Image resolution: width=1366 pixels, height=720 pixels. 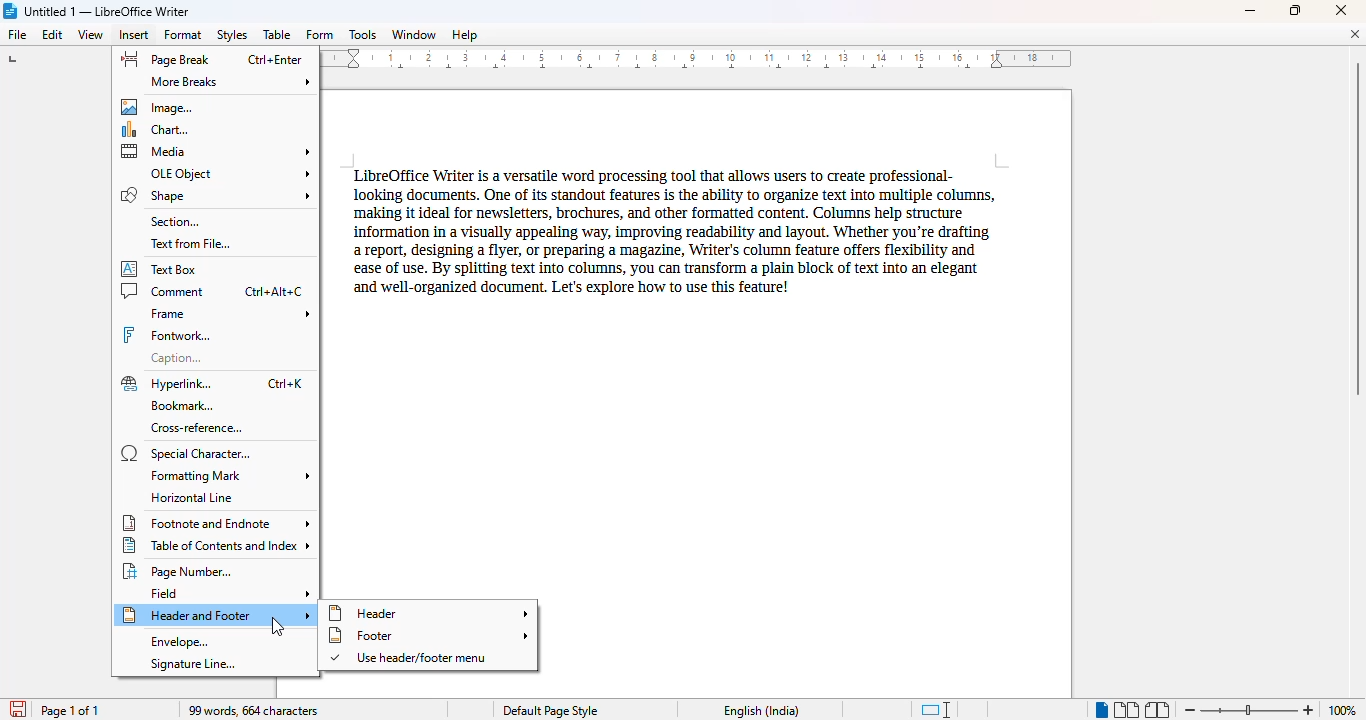 I want to click on file, so click(x=16, y=34).